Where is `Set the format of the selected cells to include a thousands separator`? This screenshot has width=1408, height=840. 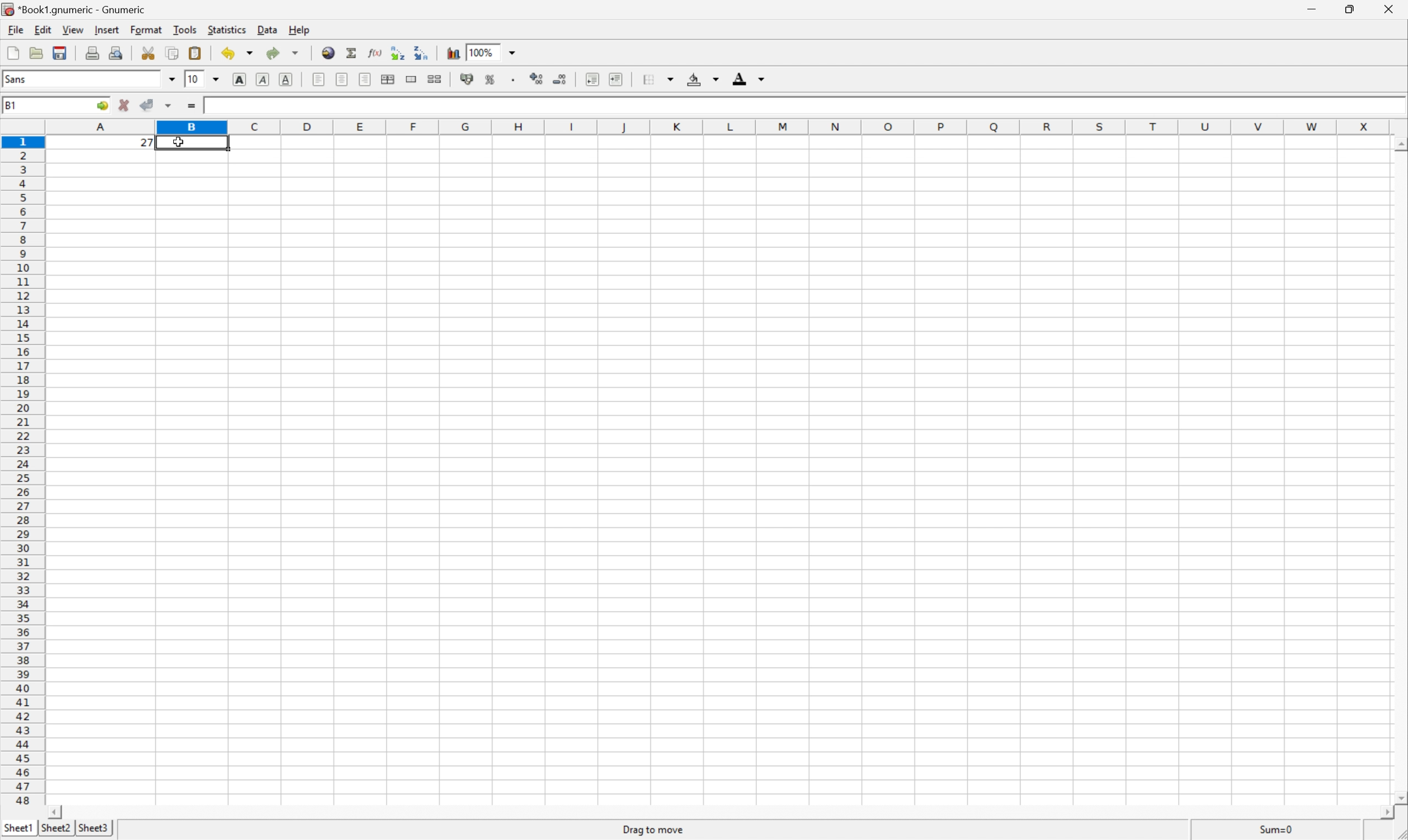 Set the format of the selected cells to include a thousands separator is located at coordinates (514, 79).